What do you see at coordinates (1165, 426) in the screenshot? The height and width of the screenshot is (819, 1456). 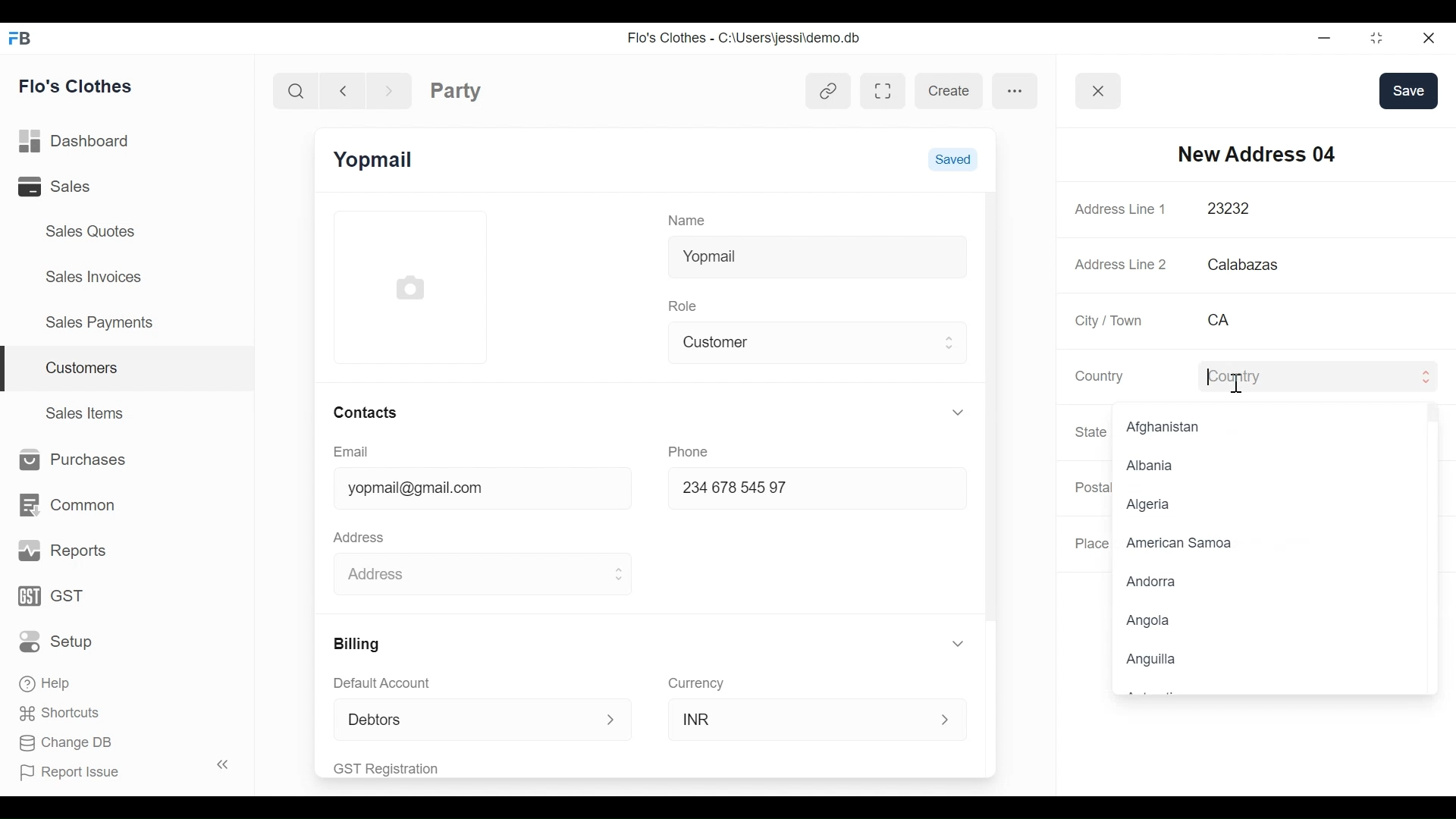 I see `Afghanistan` at bounding box center [1165, 426].